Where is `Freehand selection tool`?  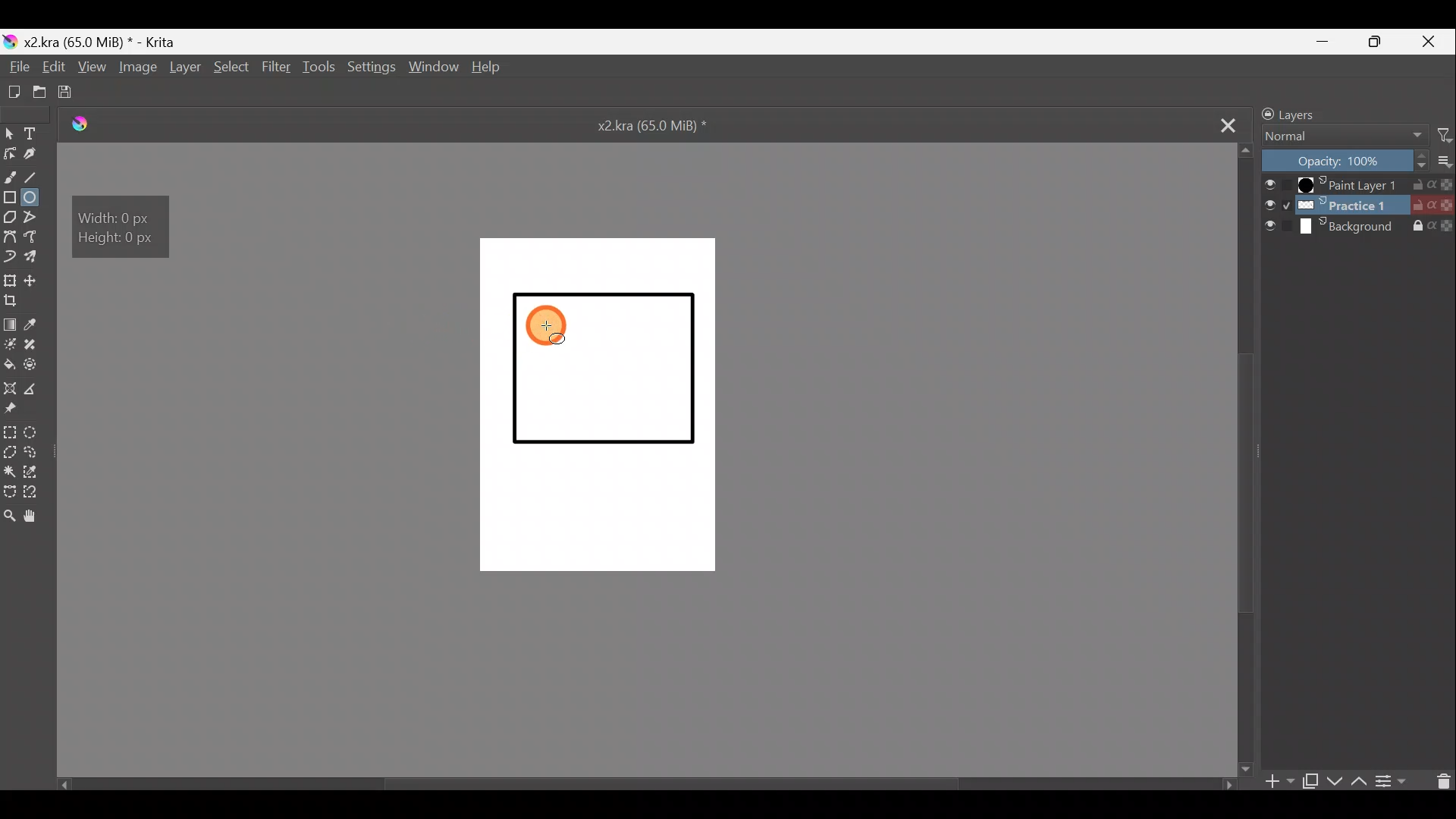 Freehand selection tool is located at coordinates (33, 452).